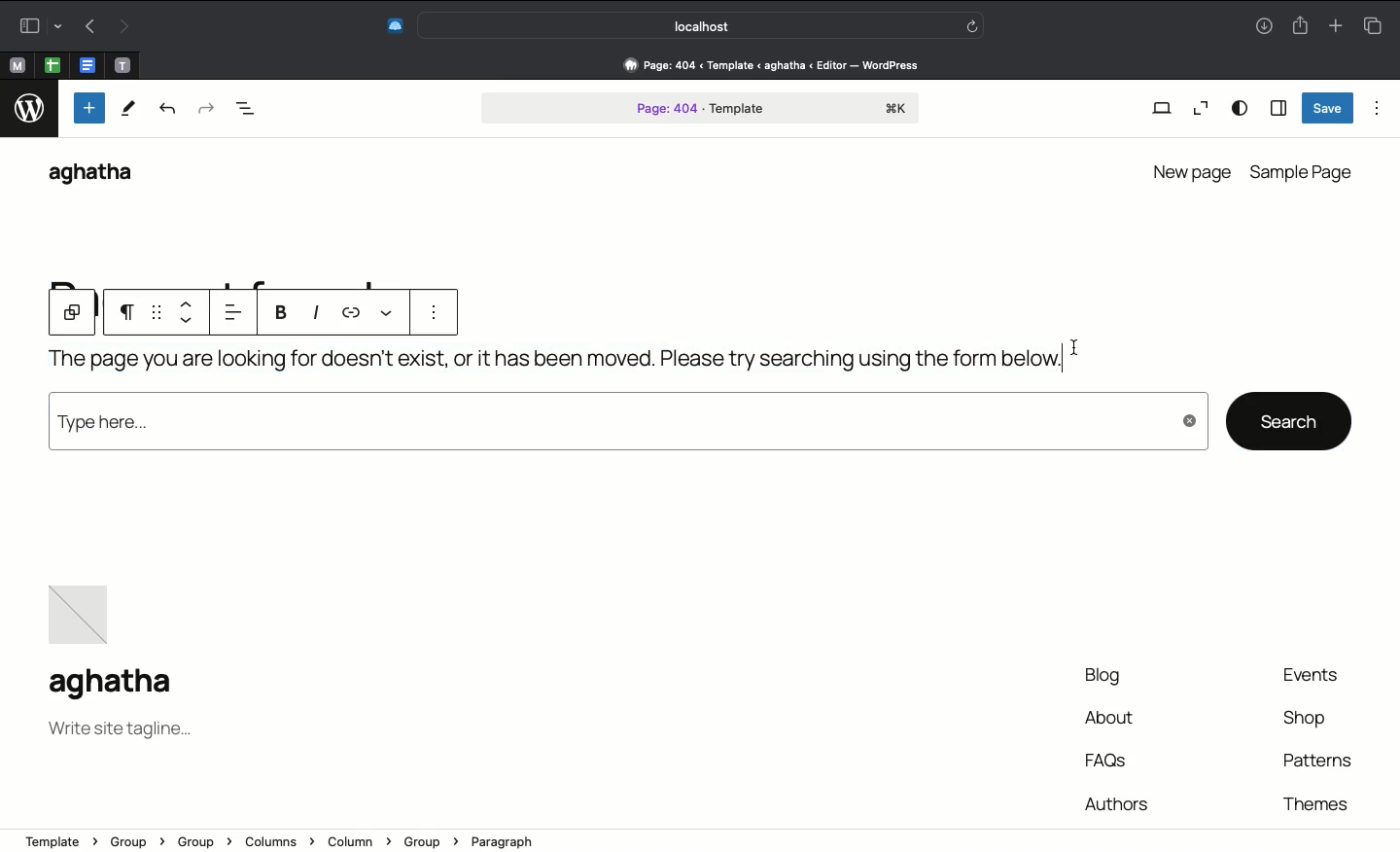  I want to click on Move up down, so click(191, 312).